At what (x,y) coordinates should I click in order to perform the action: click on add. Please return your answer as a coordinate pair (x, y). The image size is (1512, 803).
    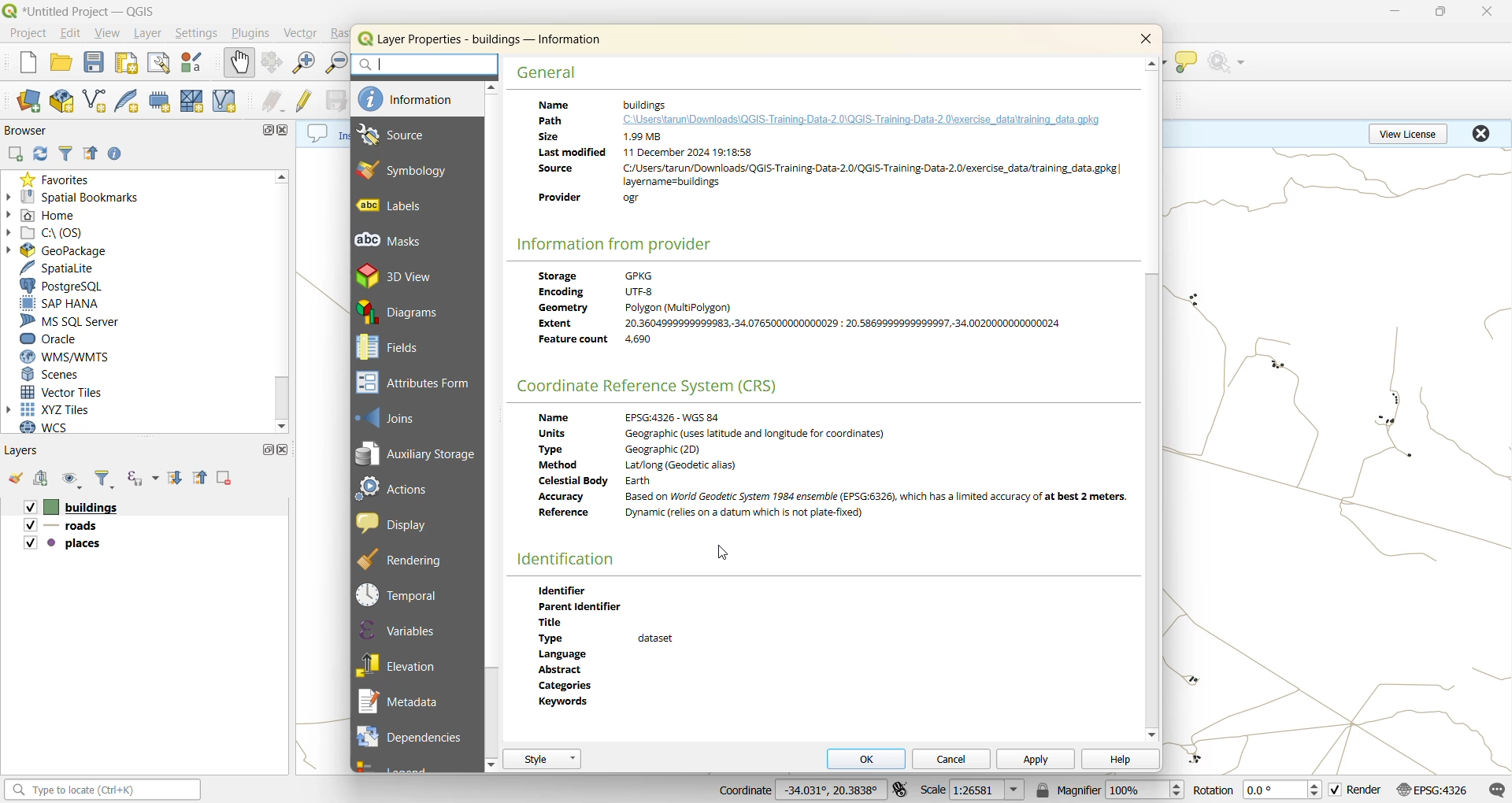
    Looking at the image, I should click on (13, 154).